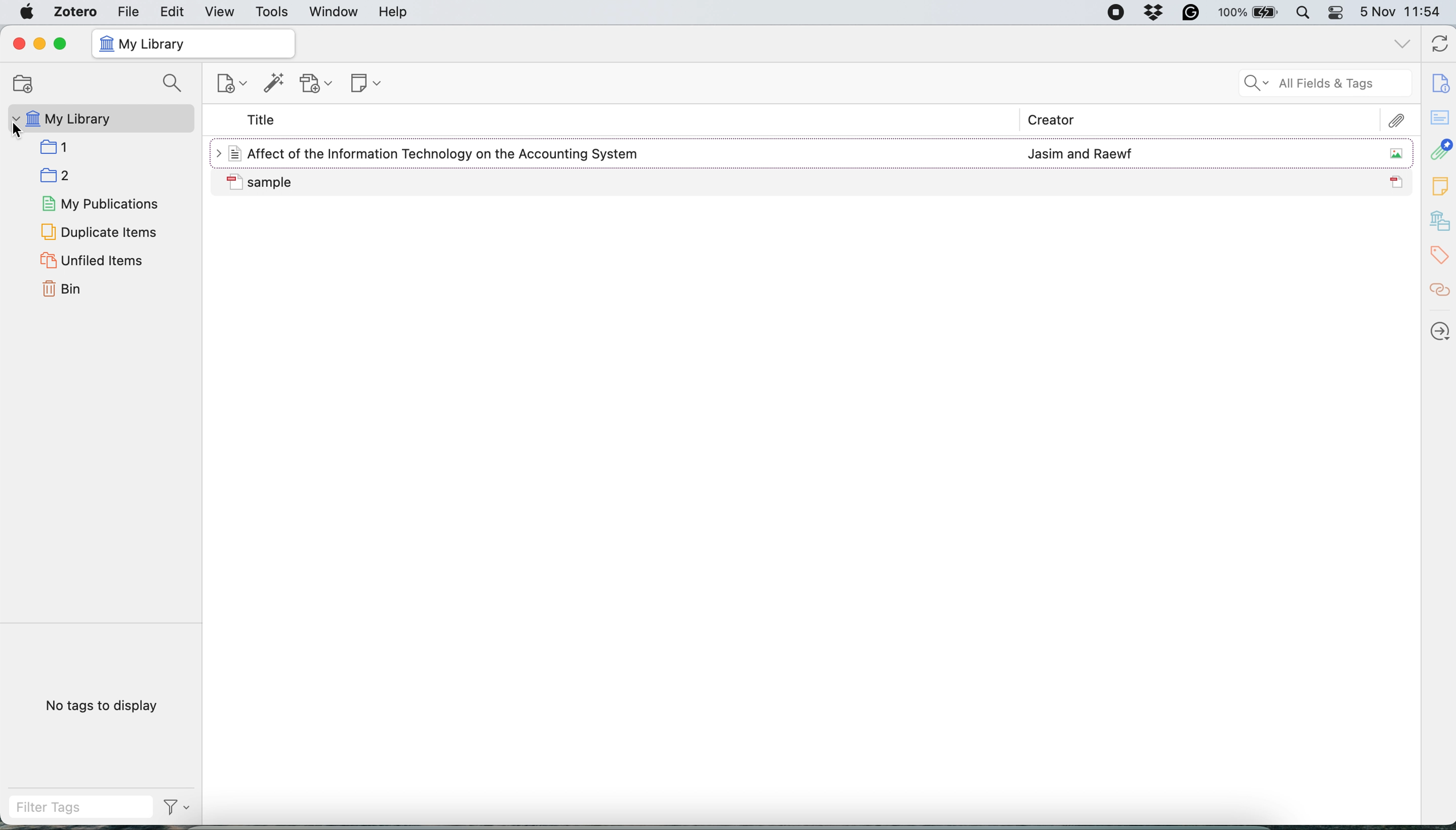 This screenshot has width=1456, height=830. I want to click on attachment, so click(1400, 120).